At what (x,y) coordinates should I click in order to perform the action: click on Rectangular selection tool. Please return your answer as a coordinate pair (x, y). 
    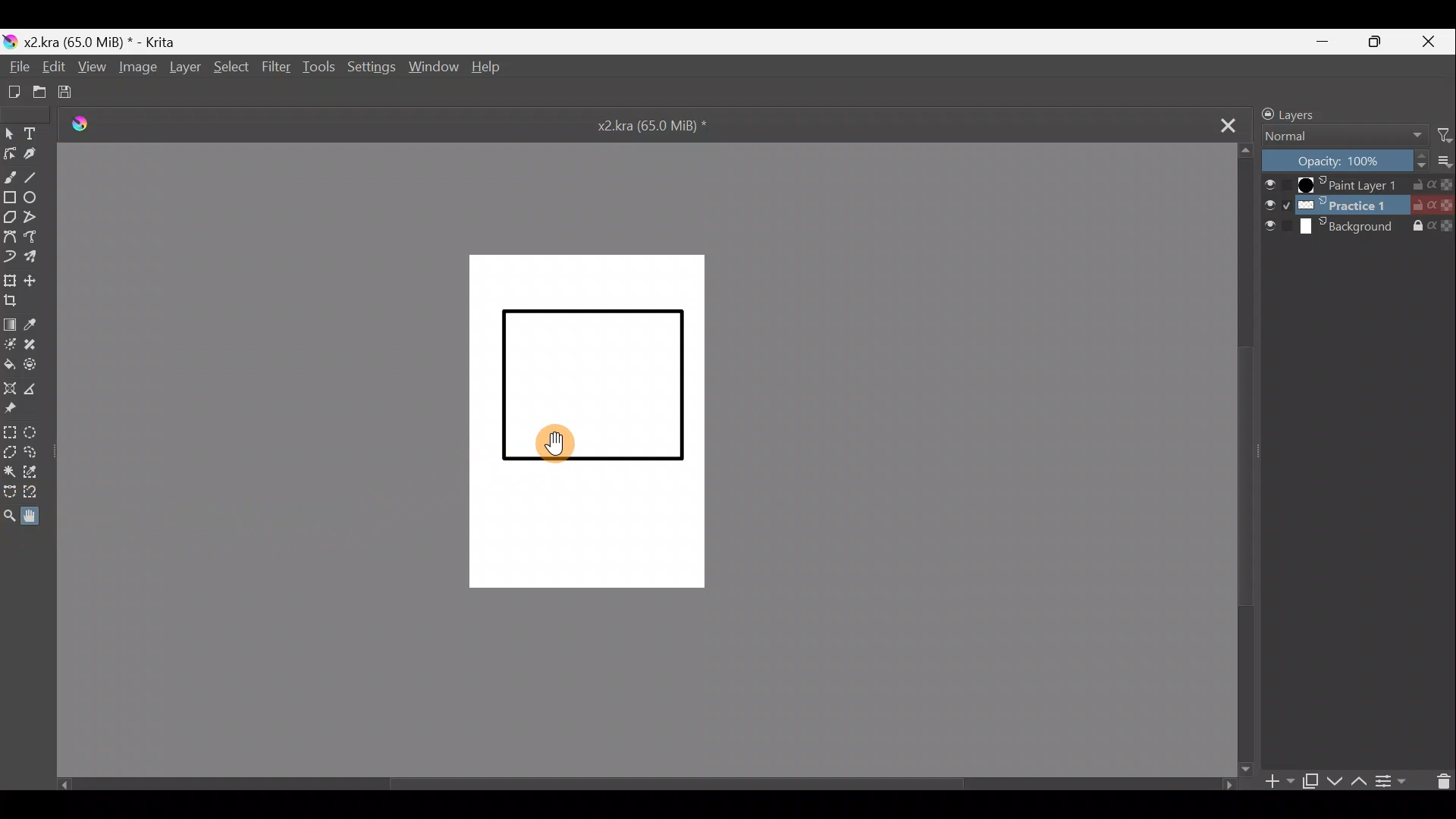
    Looking at the image, I should click on (11, 433).